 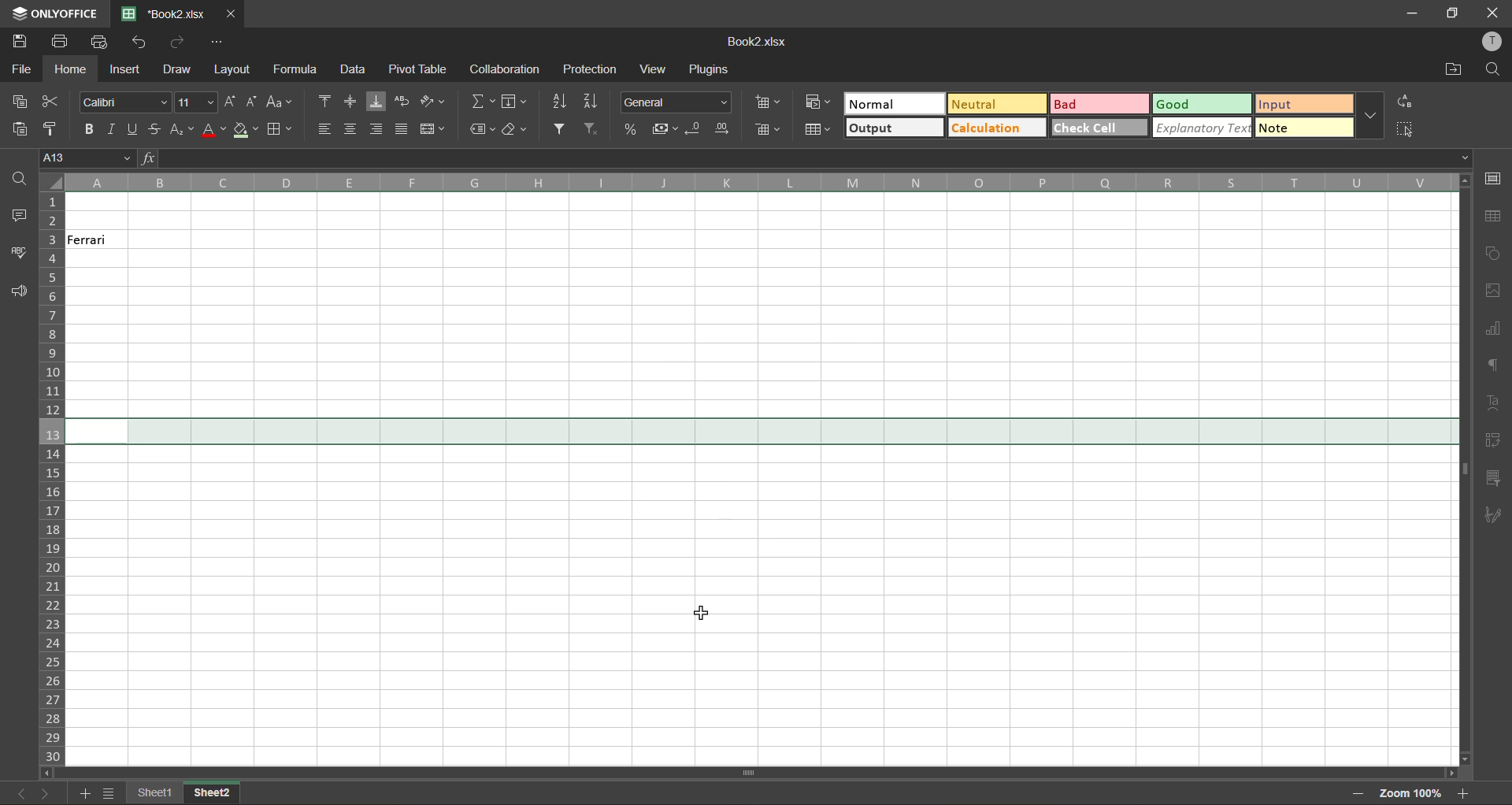 I want to click on open location, so click(x=1453, y=72).